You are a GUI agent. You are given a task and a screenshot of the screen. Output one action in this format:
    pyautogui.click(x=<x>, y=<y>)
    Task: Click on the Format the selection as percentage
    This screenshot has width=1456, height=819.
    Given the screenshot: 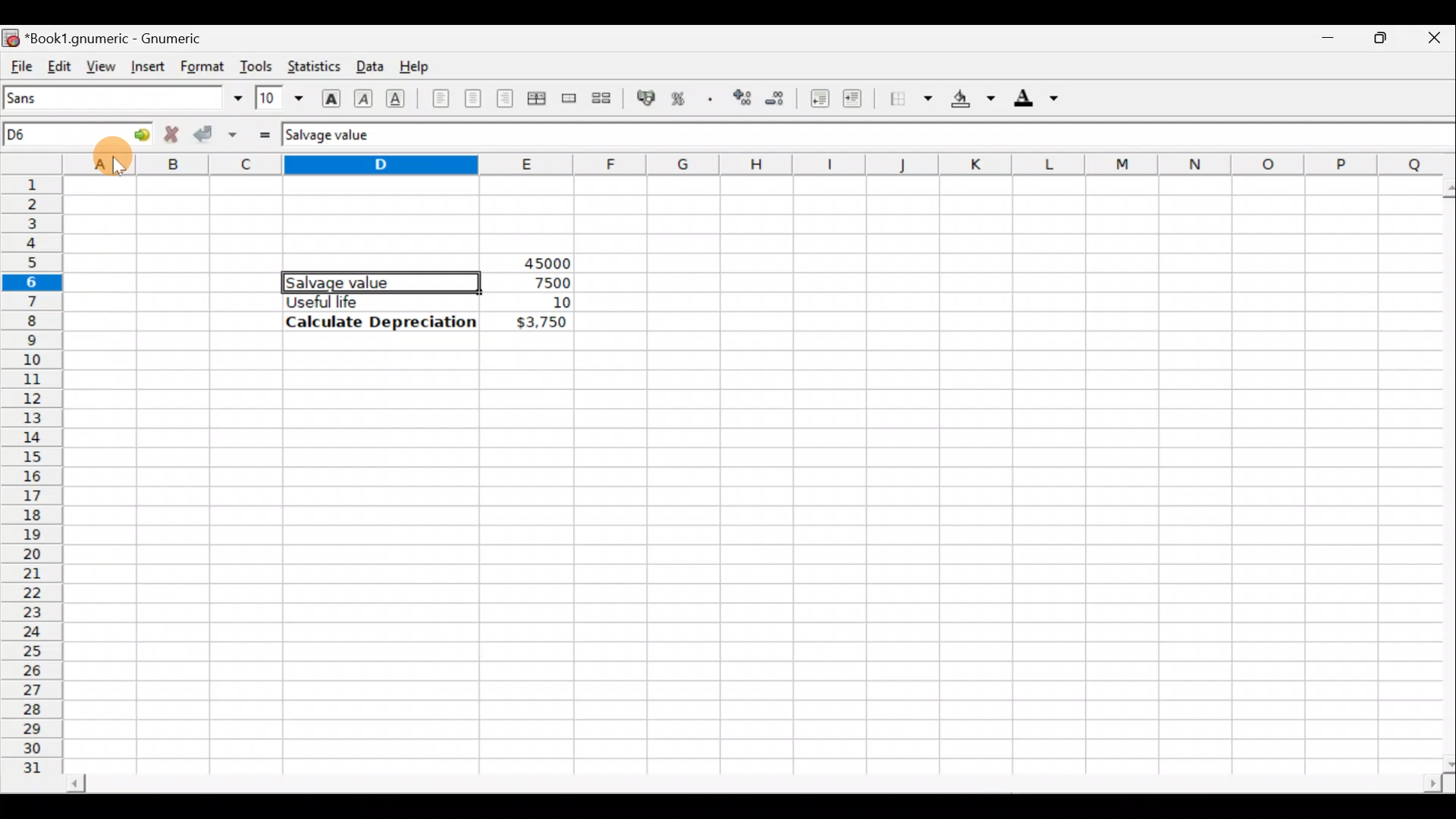 What is the action you would take?
    pyautogui.click(x=681, y=101)
    